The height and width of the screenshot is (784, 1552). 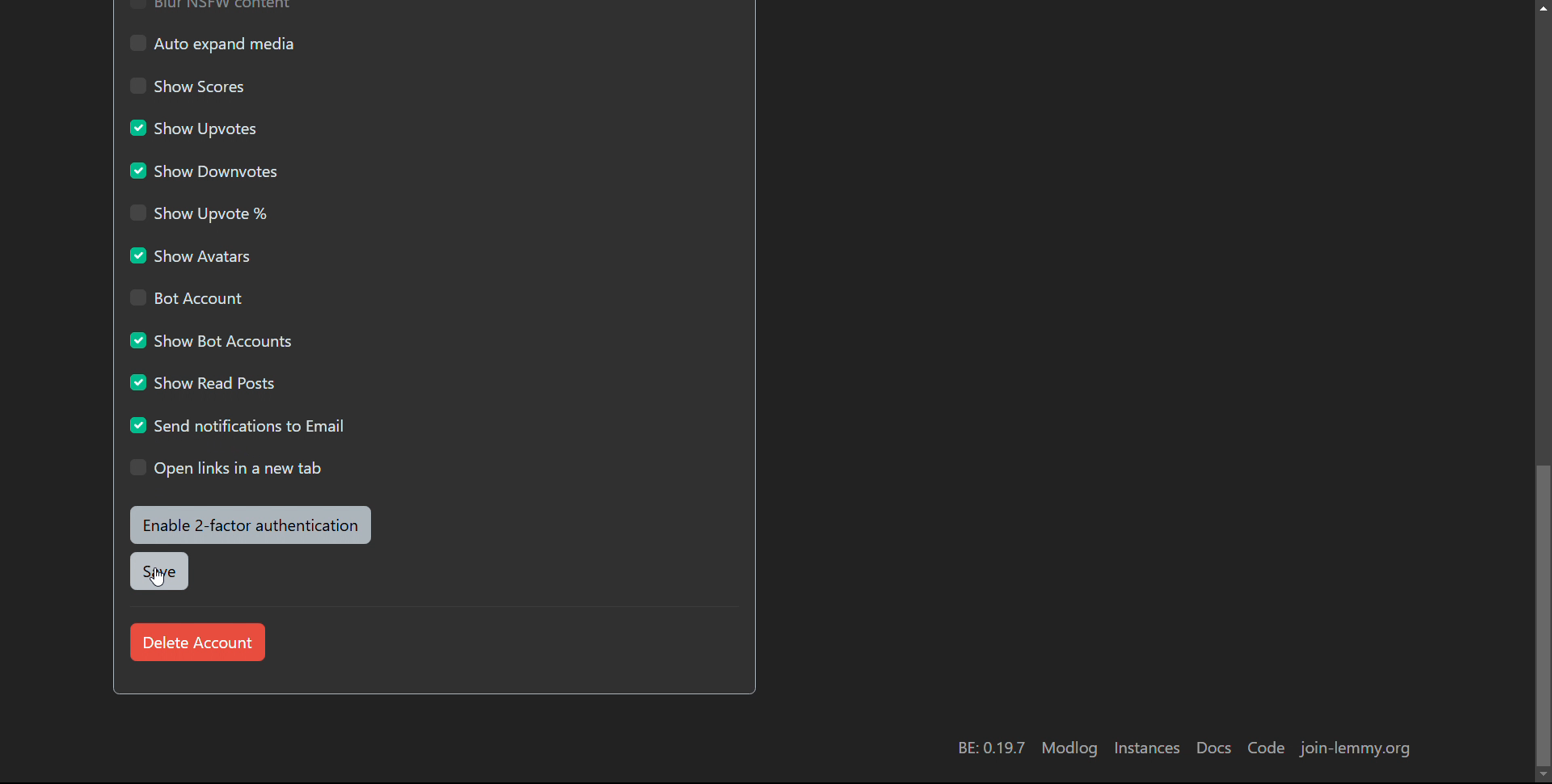 I want to click on Cursor, so click(x=158, y=575).